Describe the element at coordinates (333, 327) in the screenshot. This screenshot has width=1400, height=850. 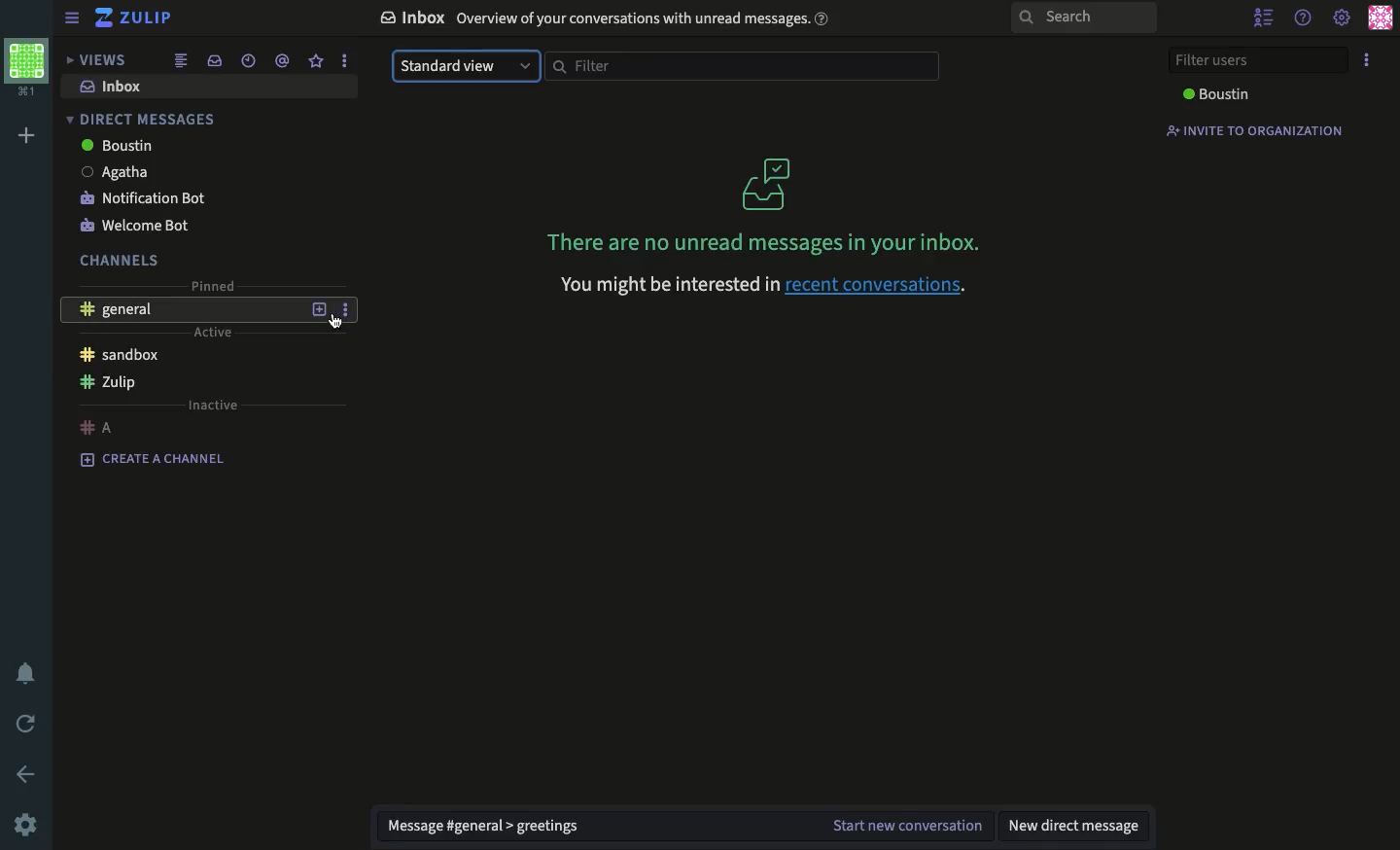
I see `cursor` at that location.